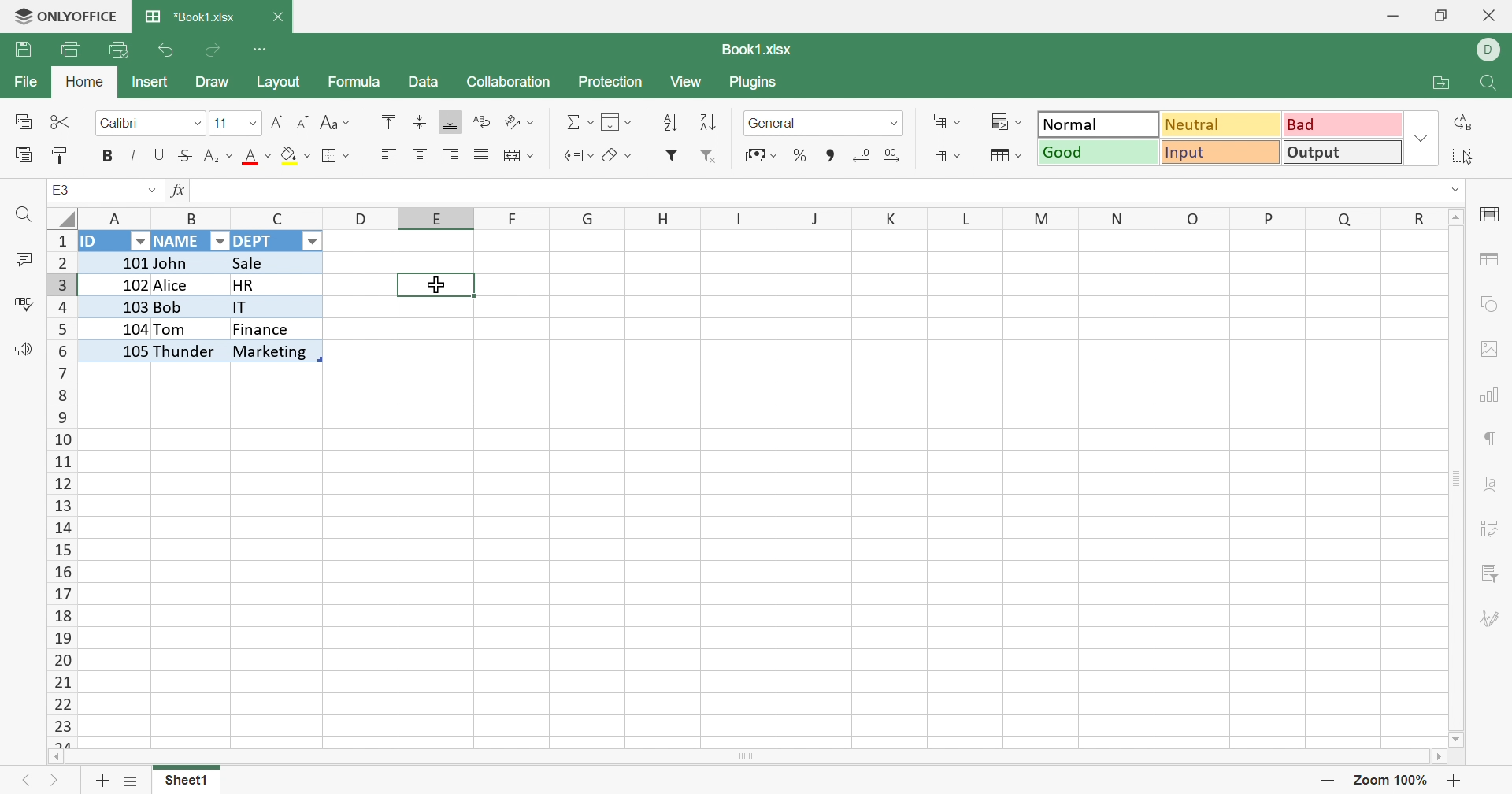  What do you see at coordinates (1454, 781) in the screenshot?
I see `Zoom In` at bounding box center [1454, 781].